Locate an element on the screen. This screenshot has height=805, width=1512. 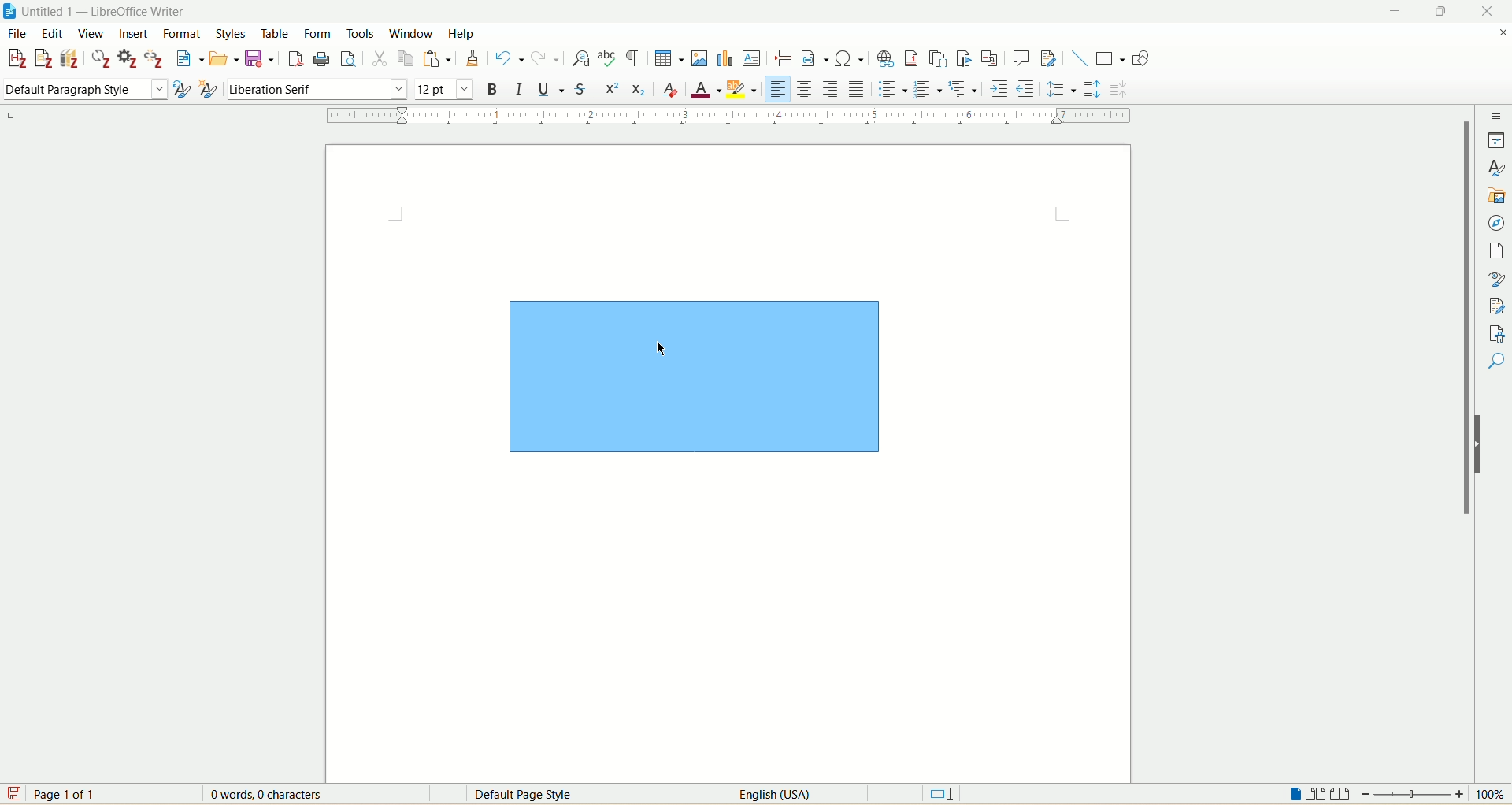
draw function is located at coordinates (1141, 61).